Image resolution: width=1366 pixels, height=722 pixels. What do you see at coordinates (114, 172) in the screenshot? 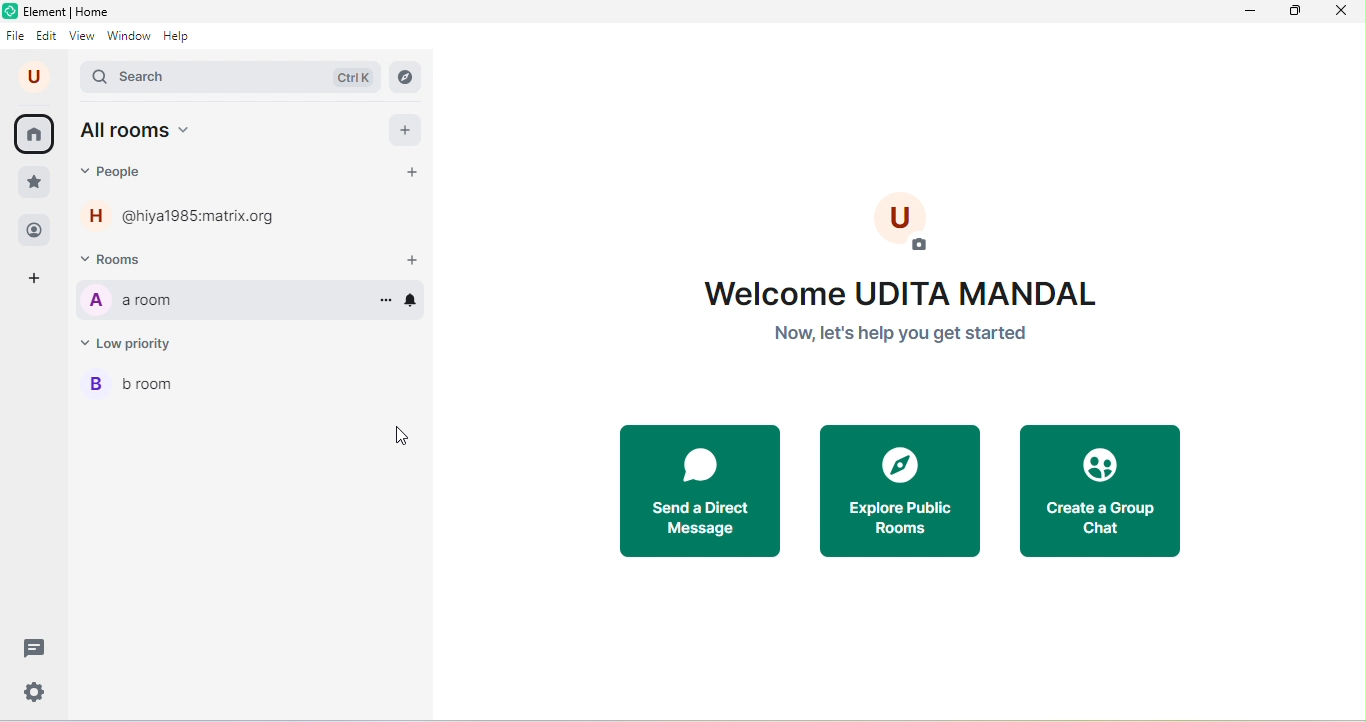
I see `people` at bounding box center [114, 172].